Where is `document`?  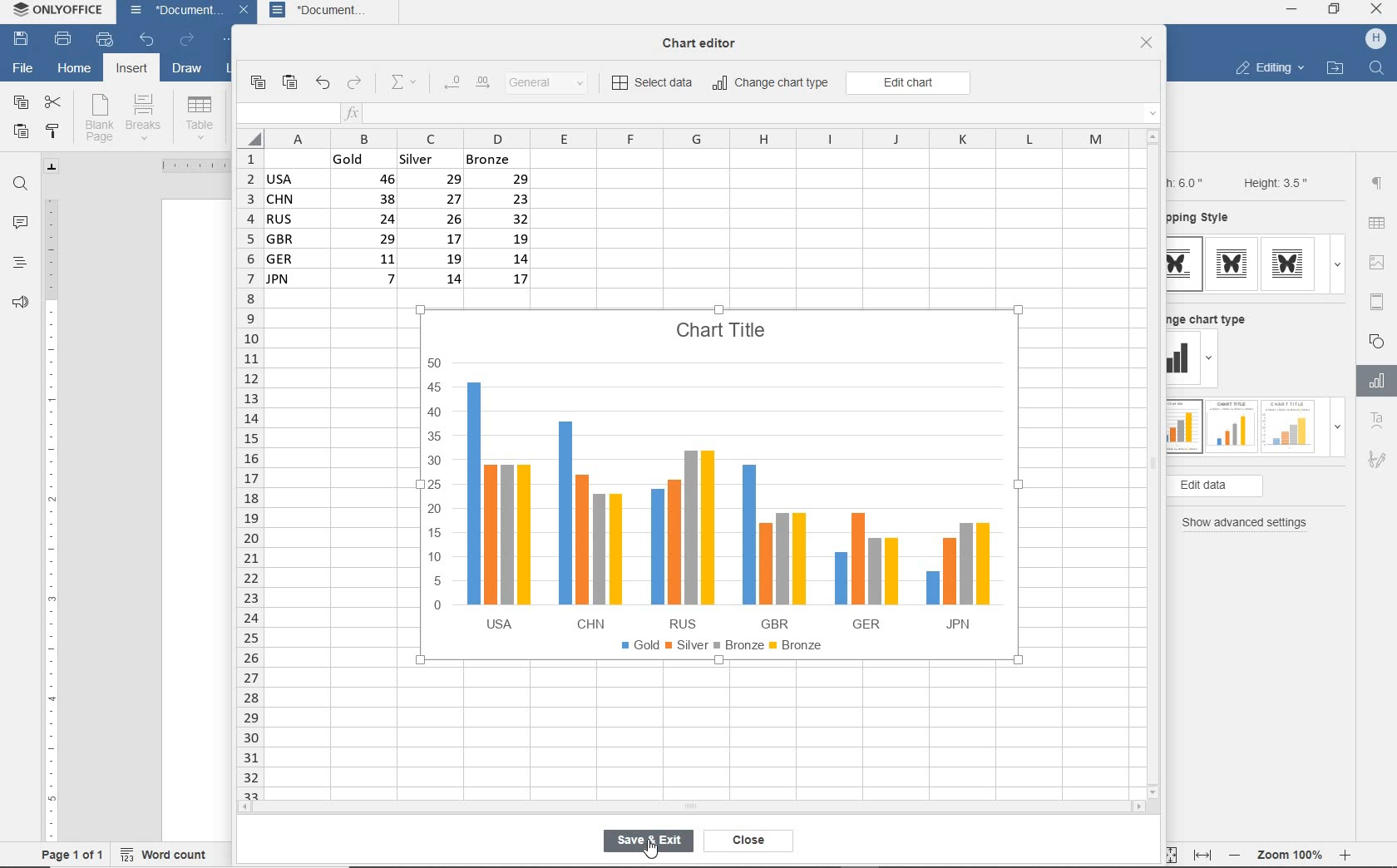
document is located at coordinates (332, 12).